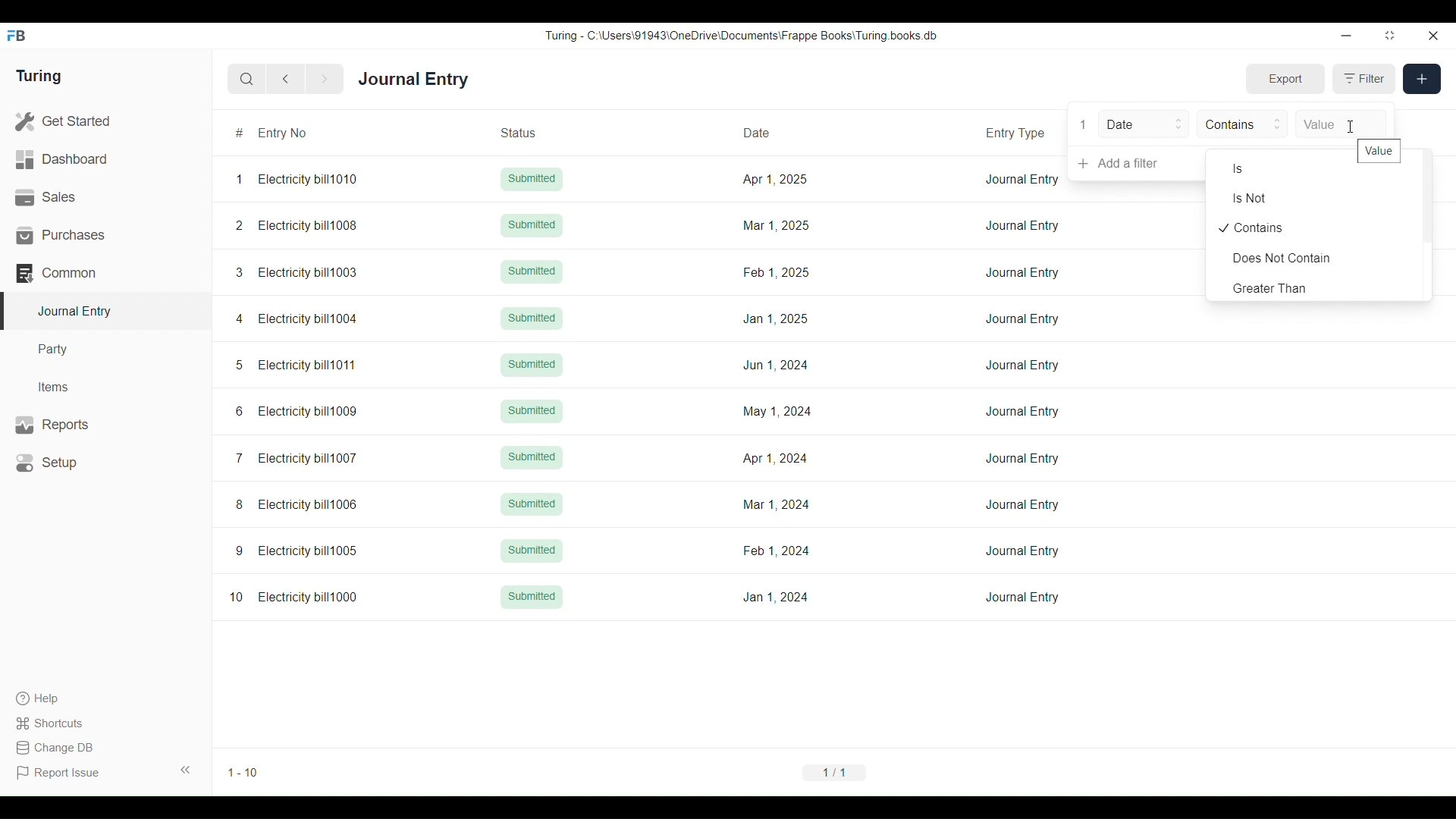  Describe the element at coordinates (1314, 199) in the screenshot. I see `Is Not` at that location.